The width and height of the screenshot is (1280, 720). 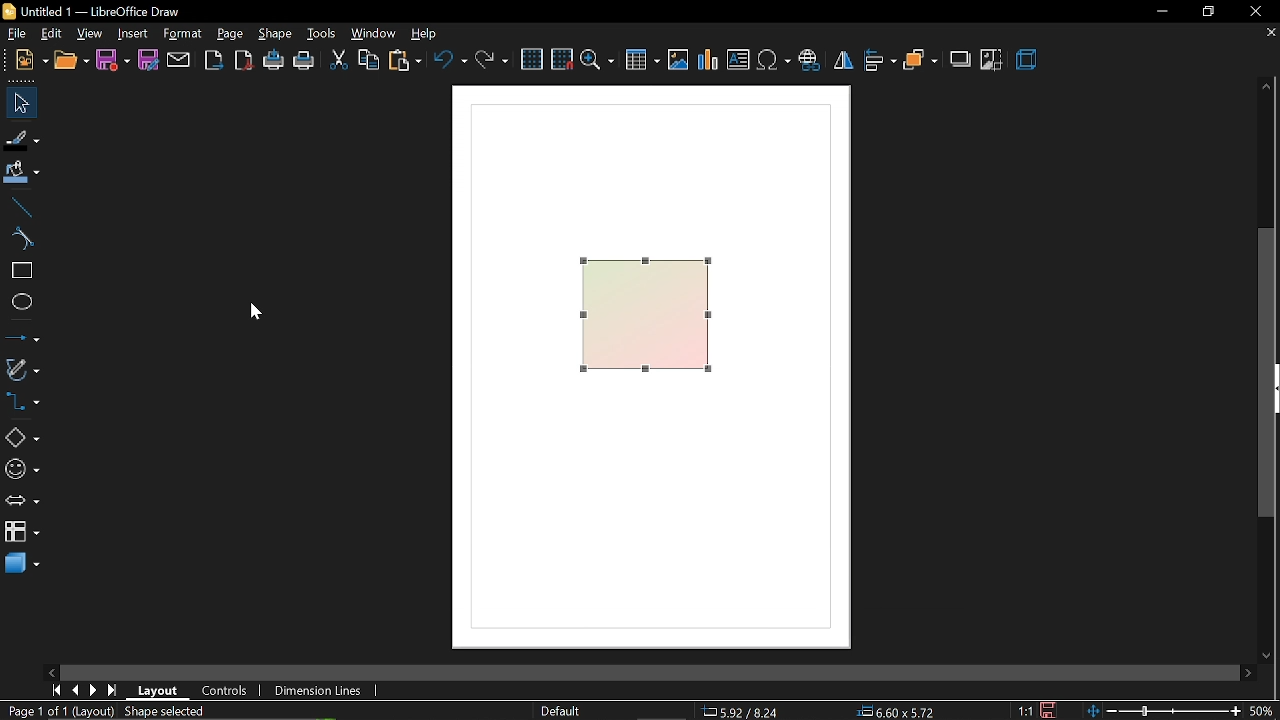 What do you see at coordinates (774, 63) in the screenshot?
I see `Insert symbol` at bounding box center [774, 63].